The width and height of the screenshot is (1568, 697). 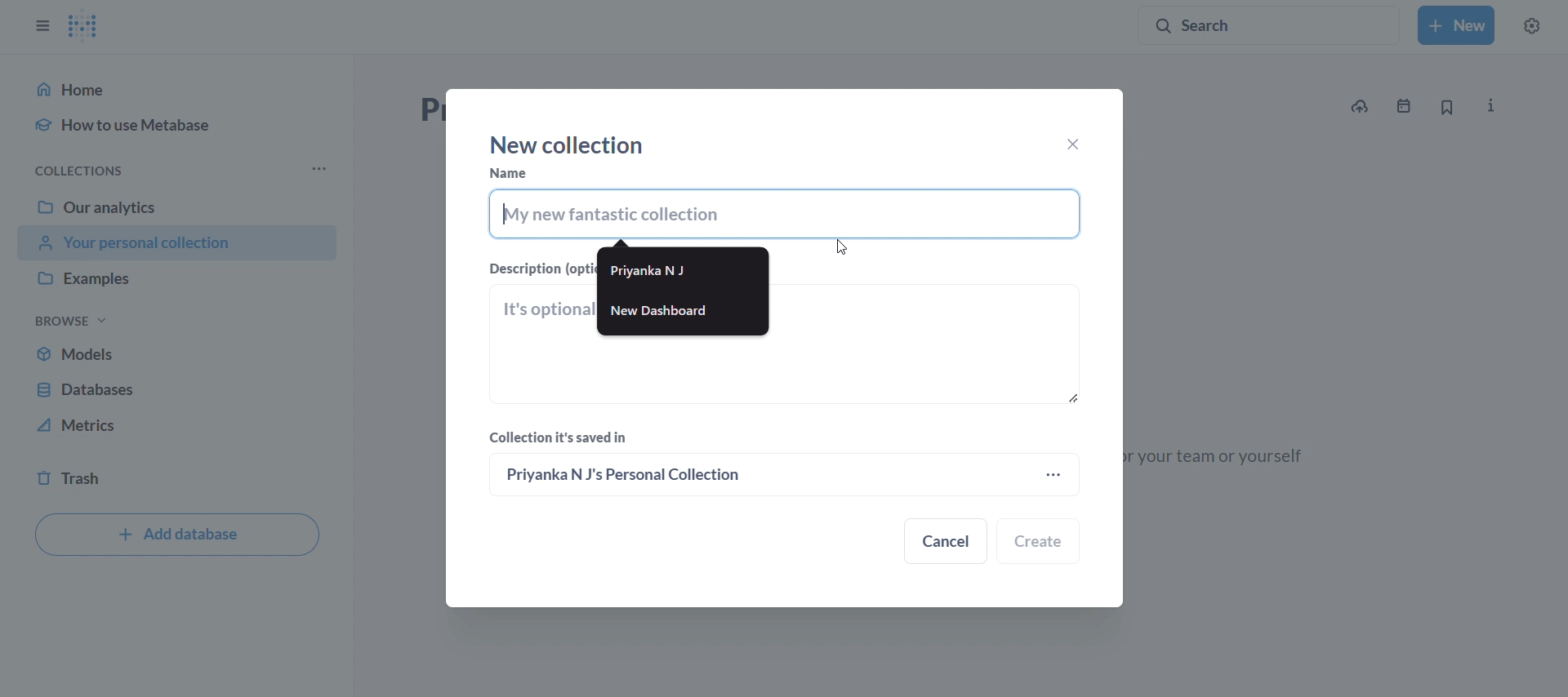 I want to click on upload data to new collecting, so click(x=1357, y=108).